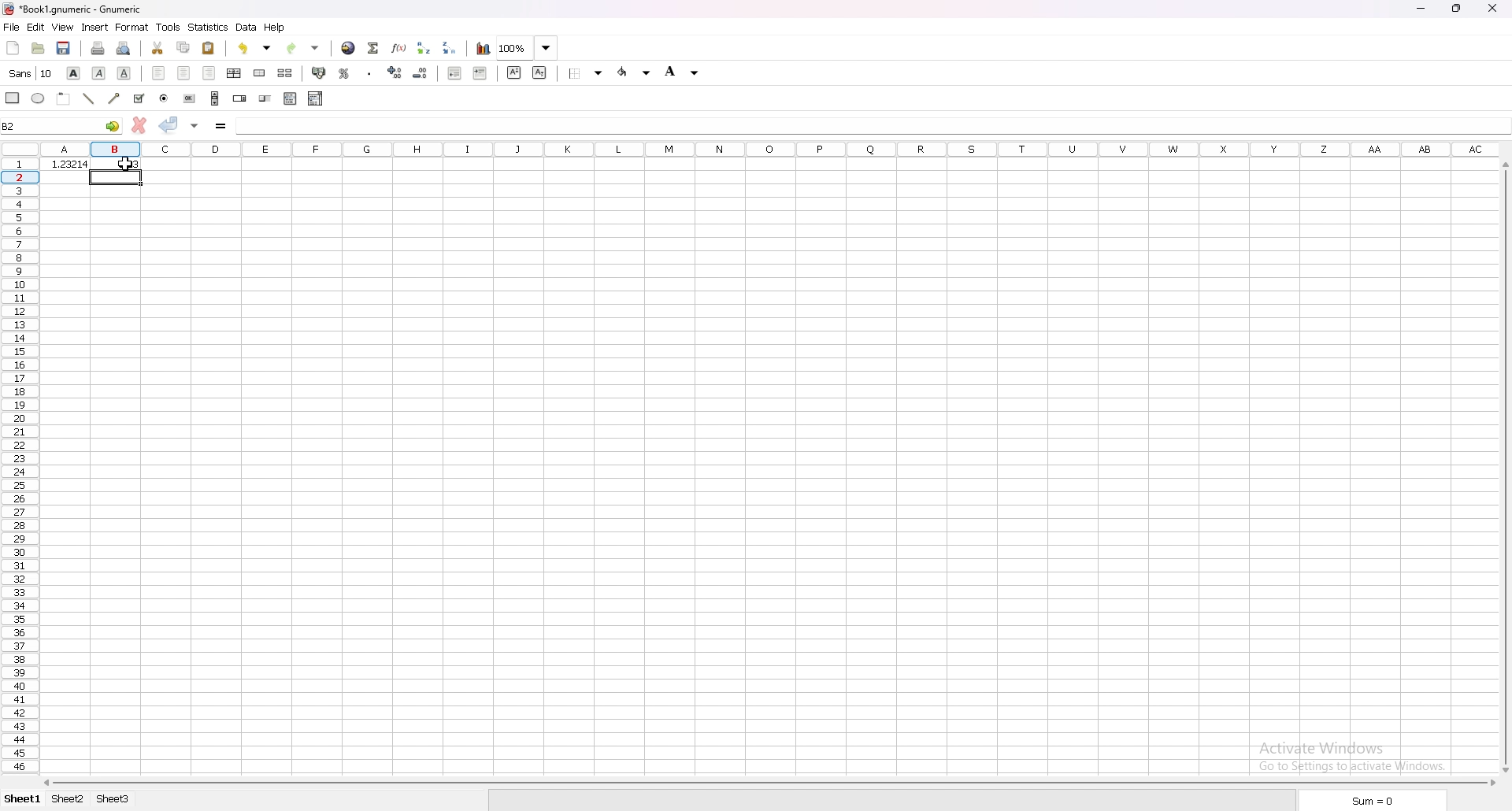 Image resolution: width=1512 pixels, height=811 pixels. I want to click on button, so click(190, 99).